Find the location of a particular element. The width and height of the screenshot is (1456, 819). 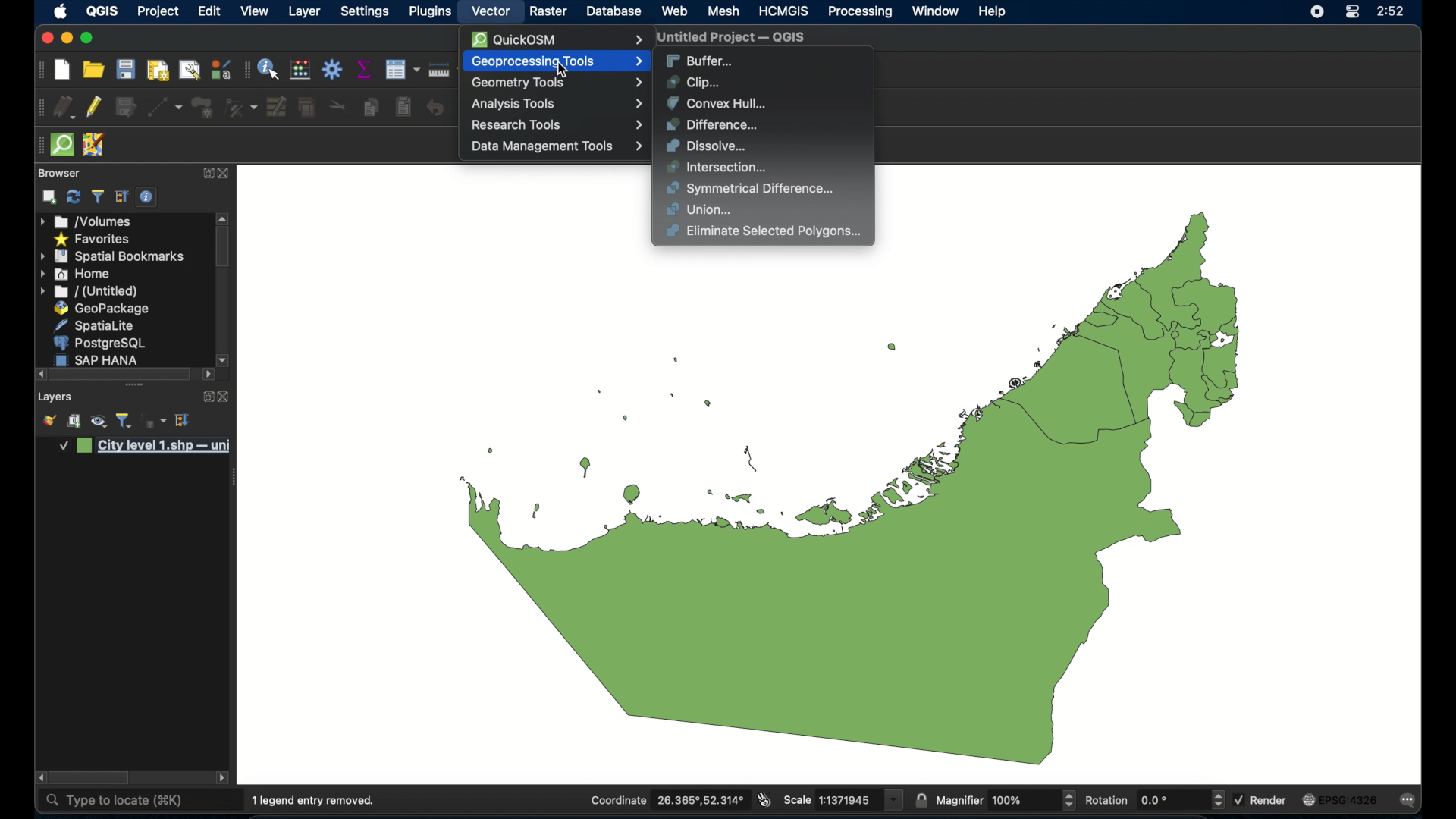

cursor is located at coordinates (566, 72).